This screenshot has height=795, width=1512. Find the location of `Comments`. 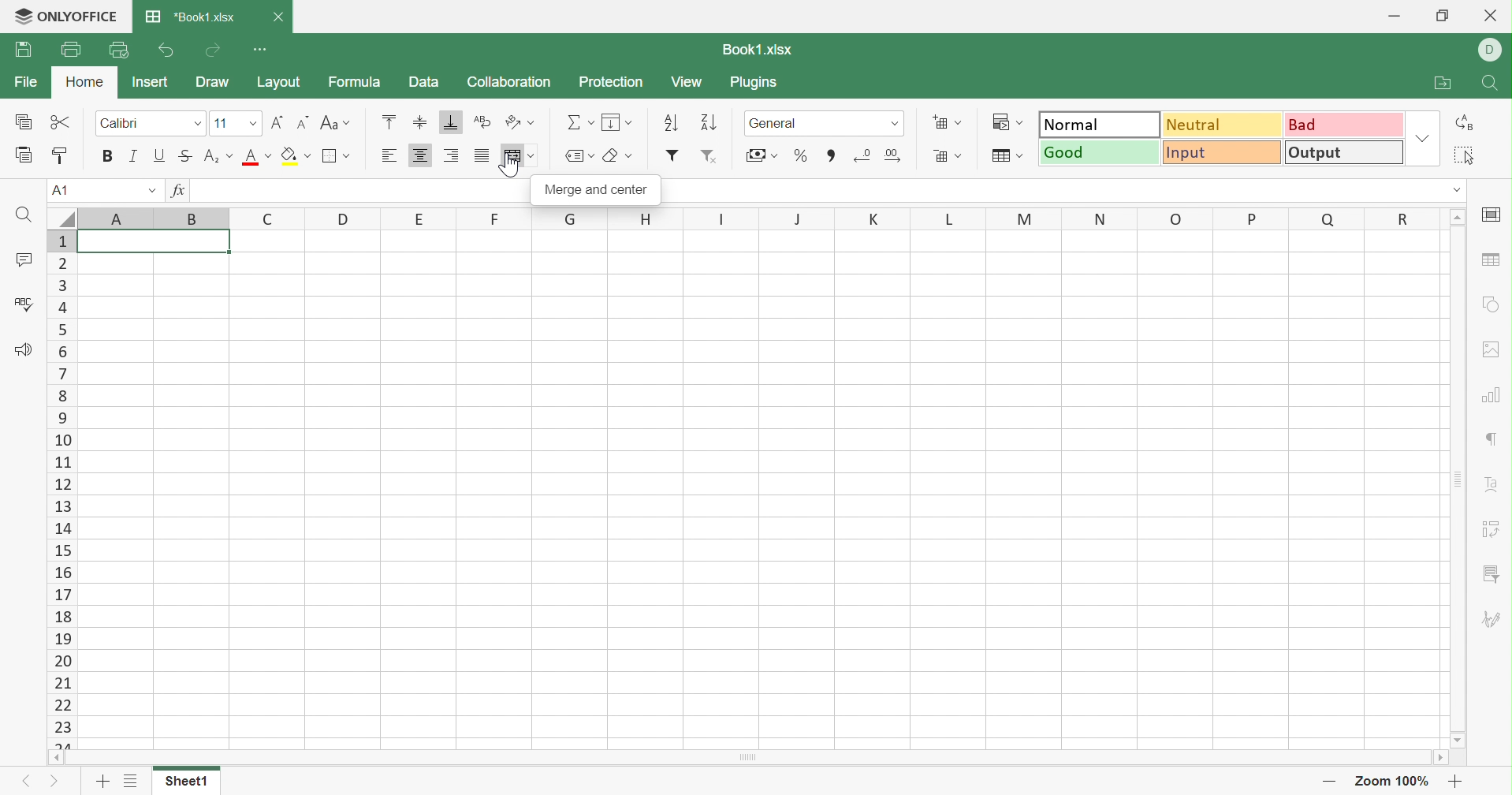

Comments is located at coordinates (26, 260).